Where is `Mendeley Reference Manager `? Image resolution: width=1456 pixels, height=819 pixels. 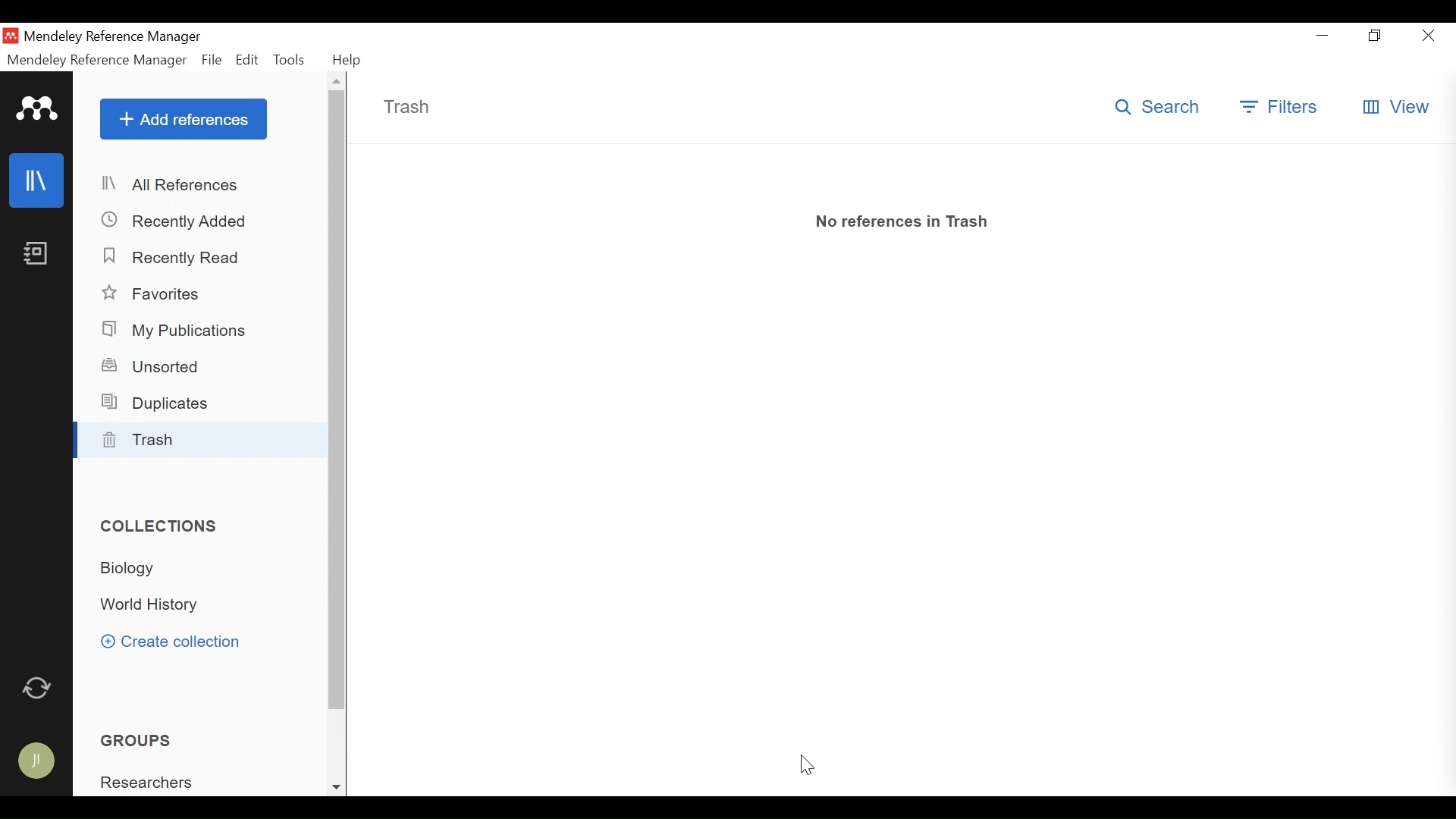
Mendeley Reference Manager  is located at coordinates (95, 60).